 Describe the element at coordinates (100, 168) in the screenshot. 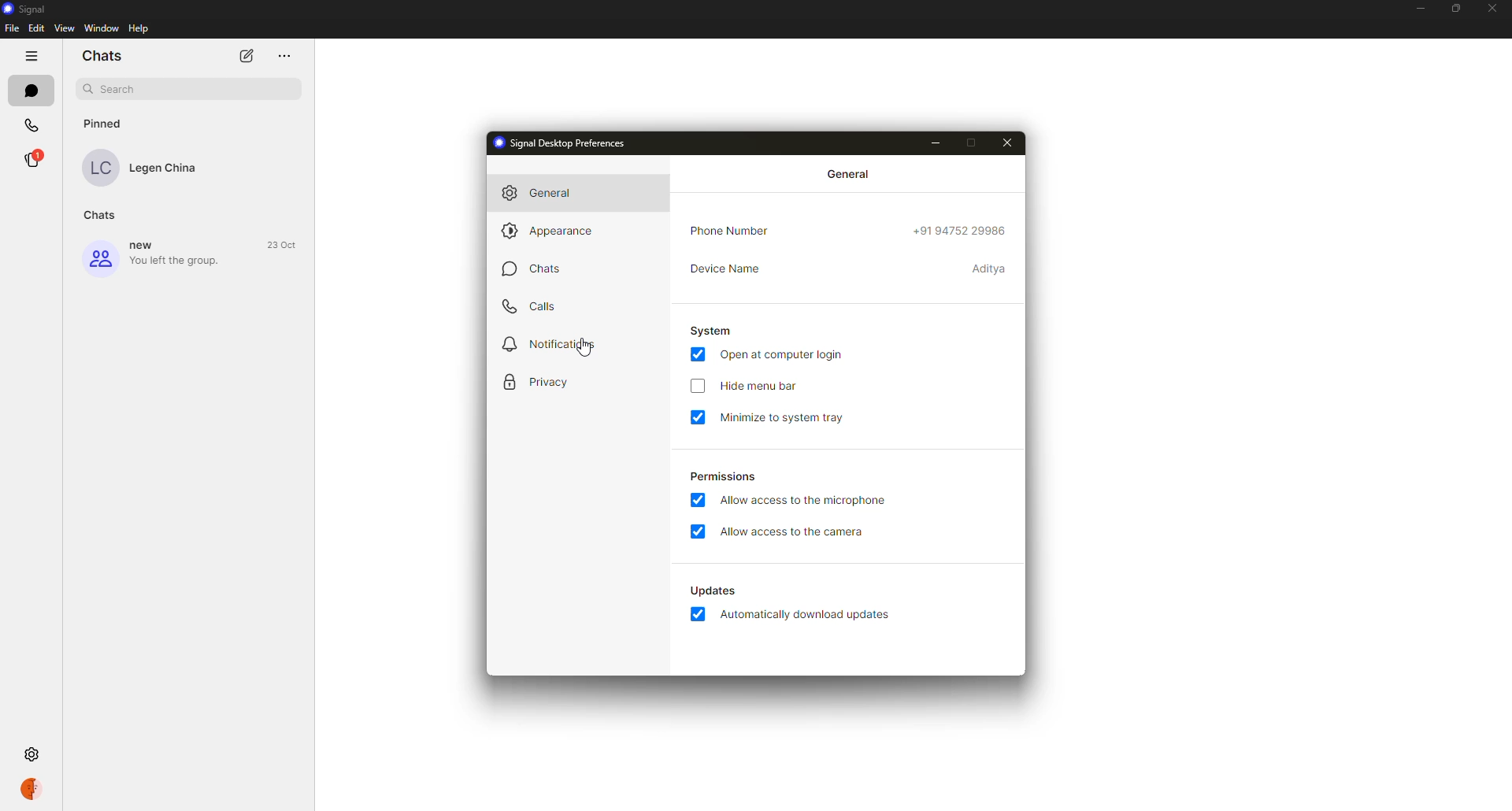

I see `LC` at that location.